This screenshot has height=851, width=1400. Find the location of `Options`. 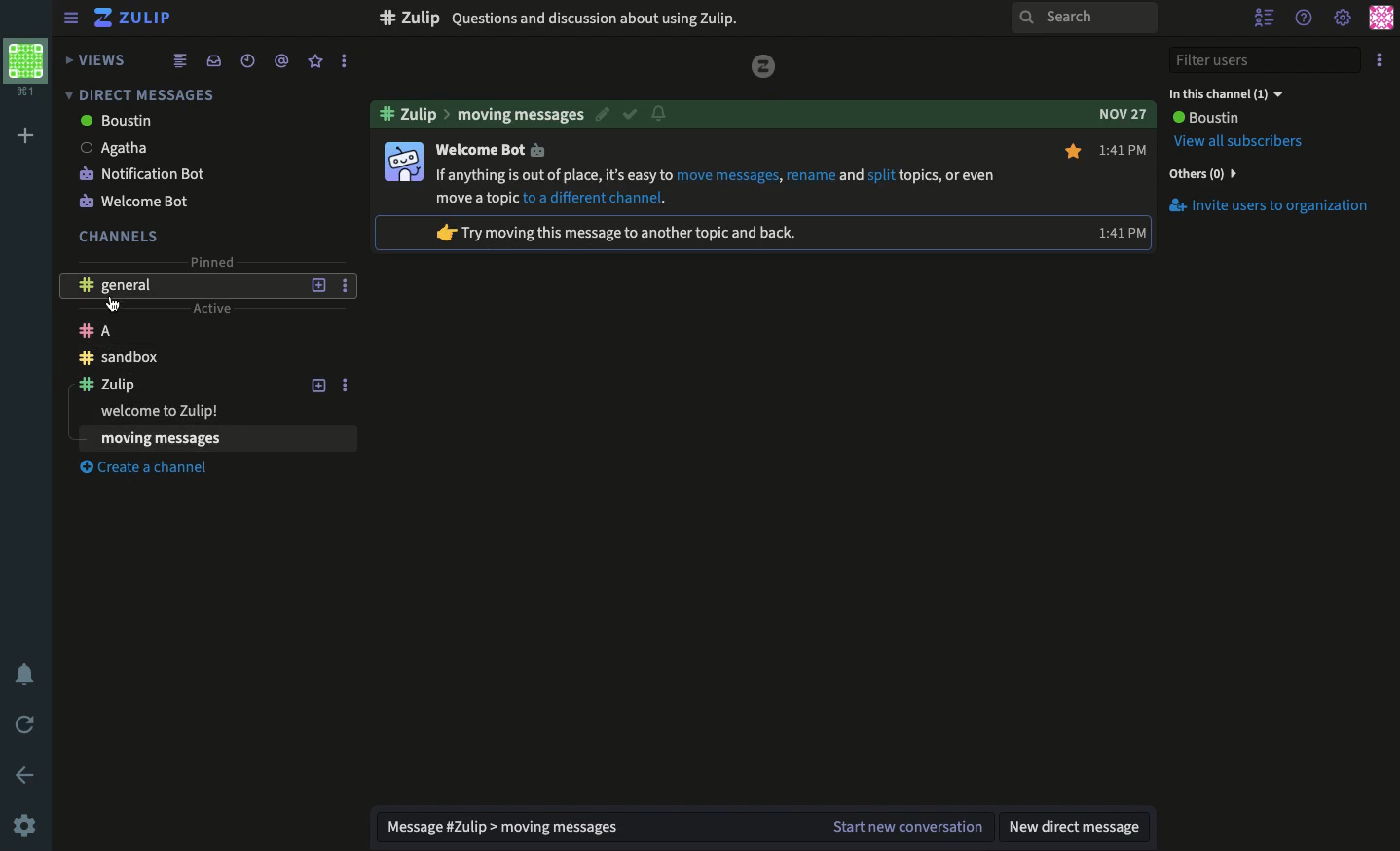

Options is located at coordinates (343, 61).